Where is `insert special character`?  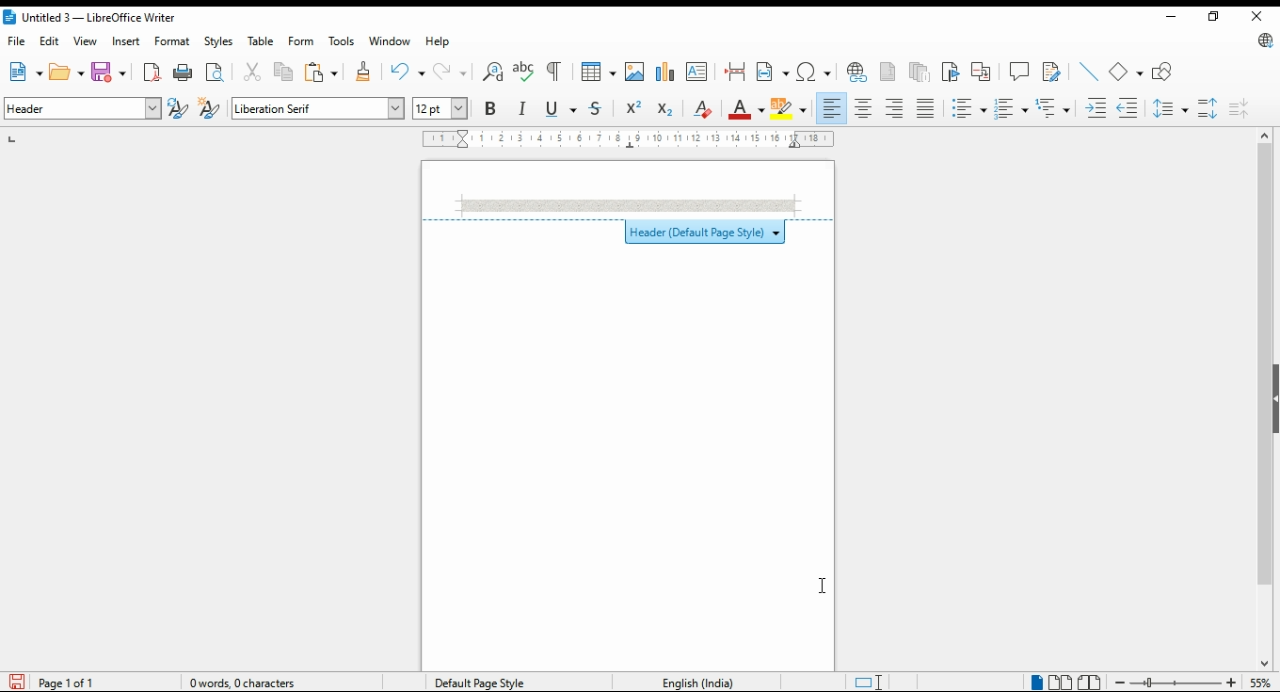
insert special character is located at coordinates (813, 72).